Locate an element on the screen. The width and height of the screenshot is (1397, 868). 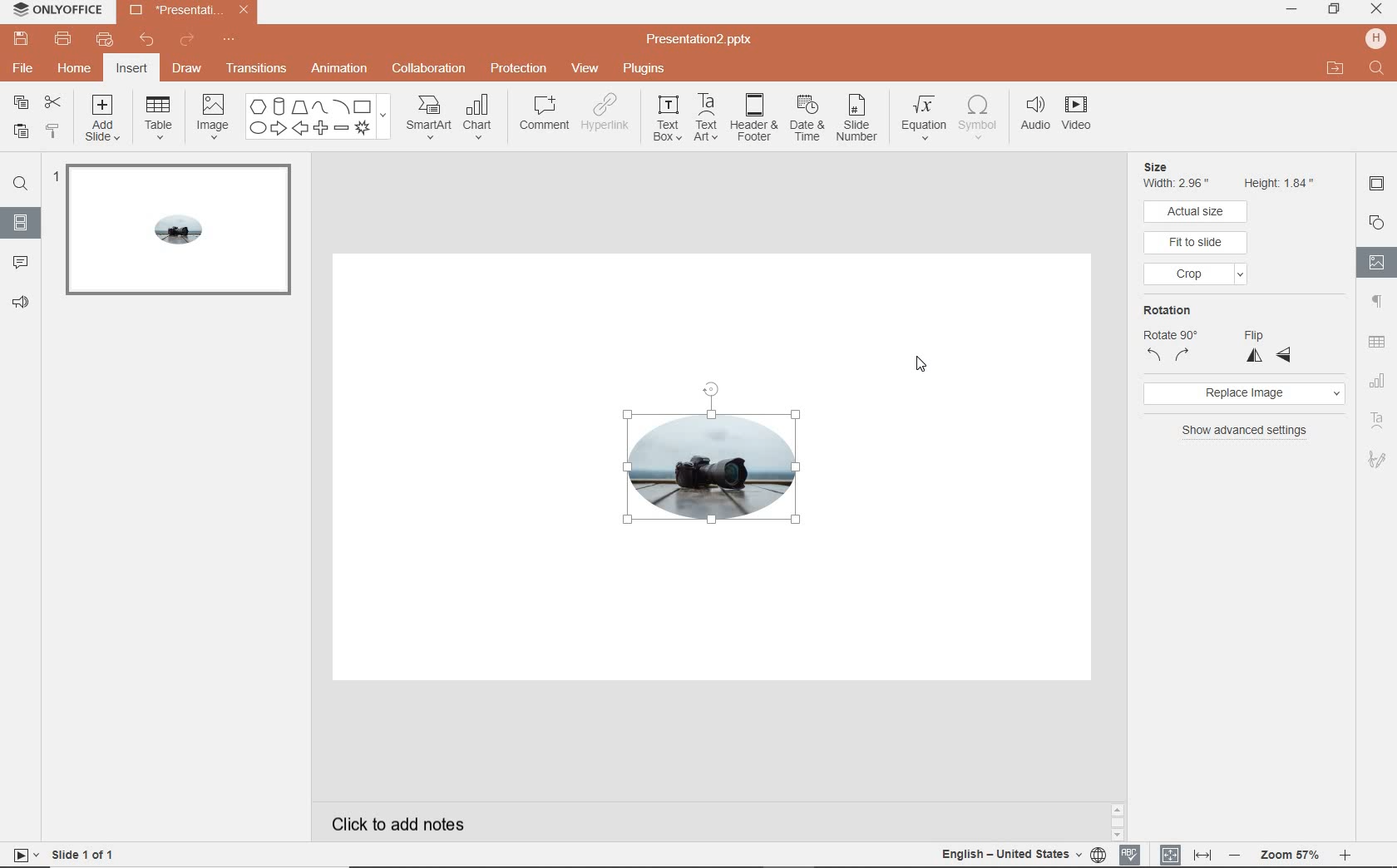
image is located at coordinates (212, 116).